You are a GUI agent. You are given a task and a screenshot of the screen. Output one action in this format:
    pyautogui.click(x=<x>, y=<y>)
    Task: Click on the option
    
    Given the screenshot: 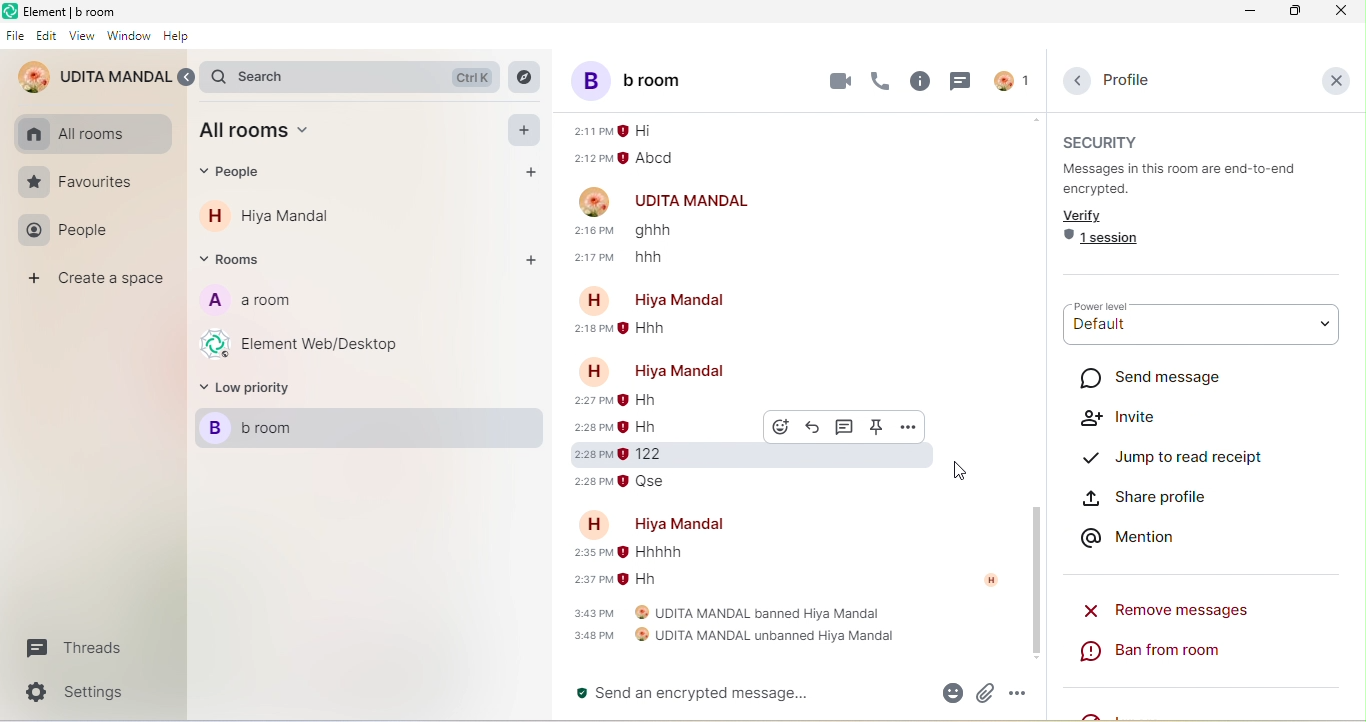 What is the action you would take?
    pyautogui.click(x=911, y=429)
    